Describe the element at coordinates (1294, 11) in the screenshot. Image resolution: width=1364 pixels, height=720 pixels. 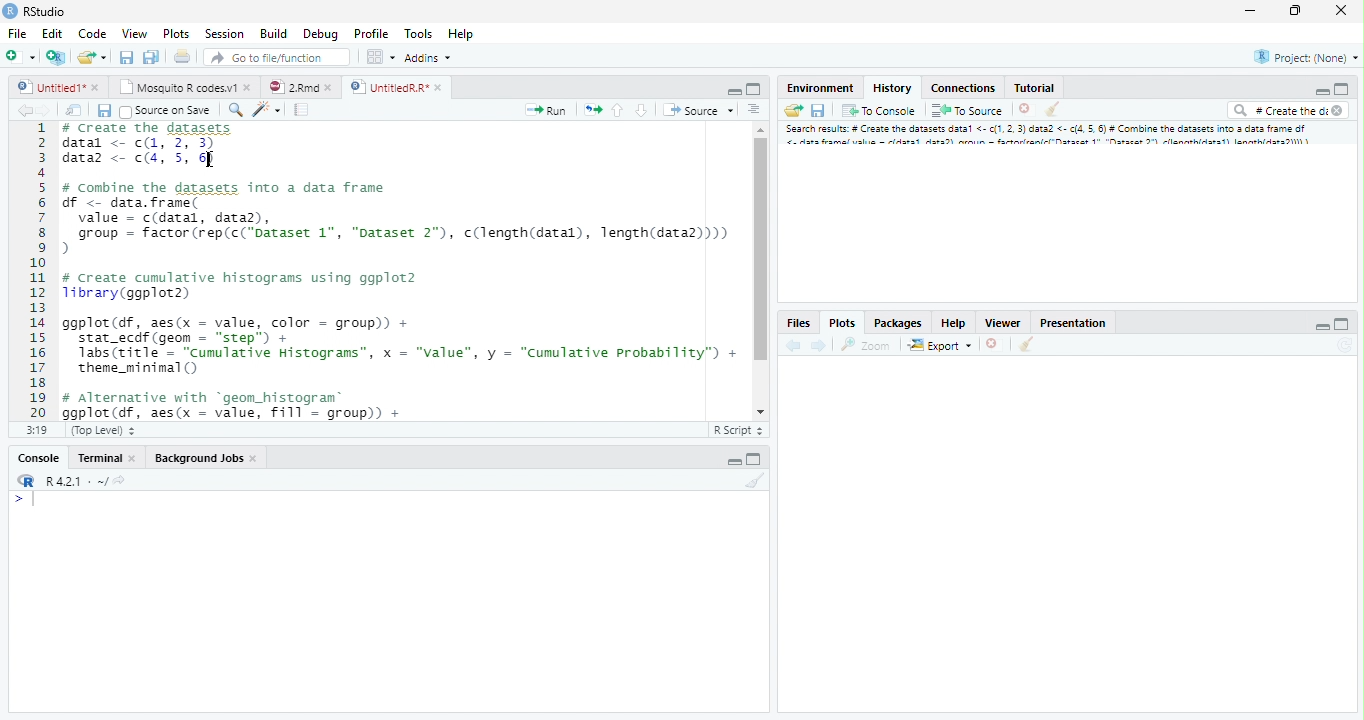
I see `Maximize` at that location.